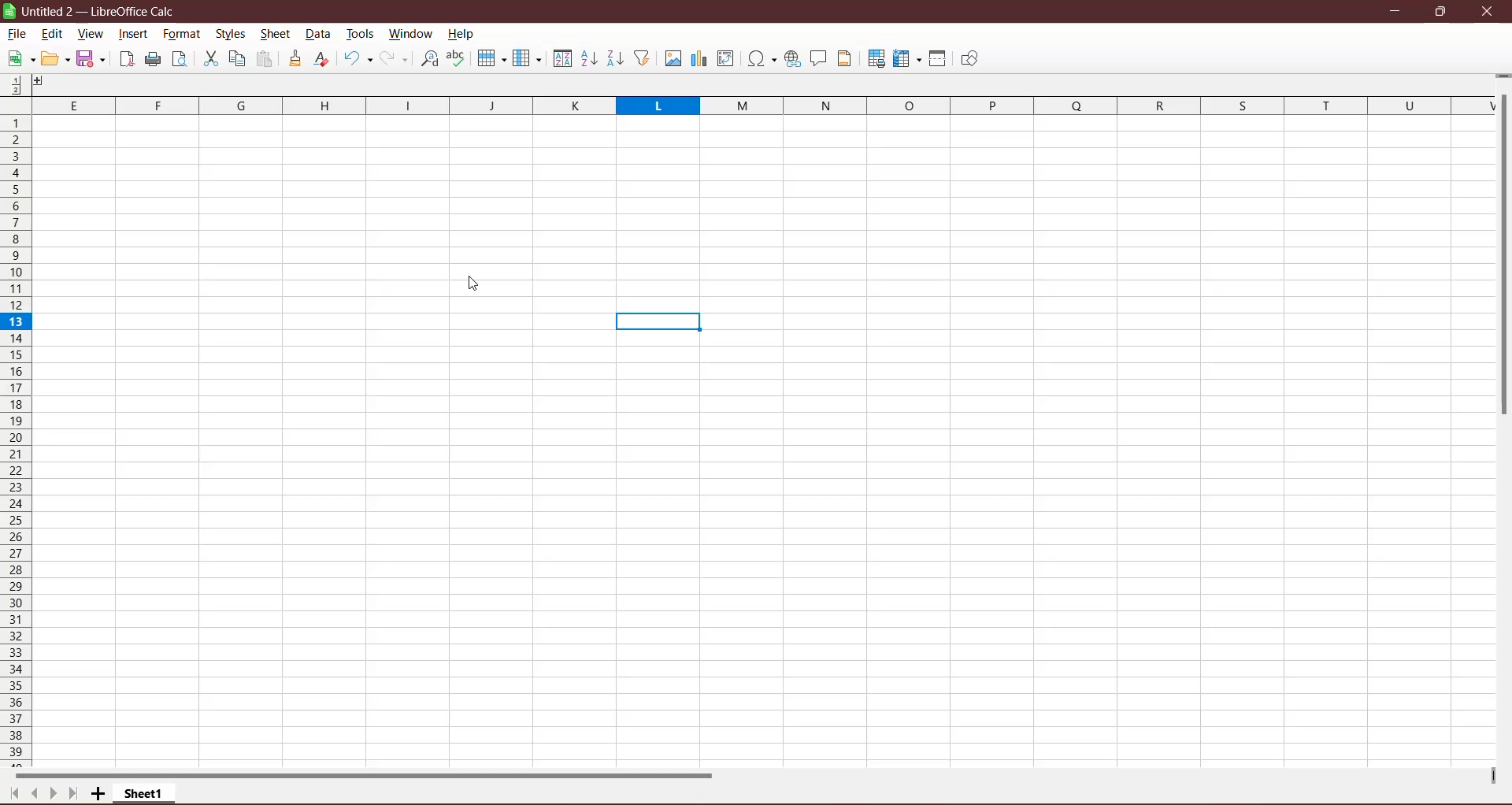 This screenshot has width=1512, height=805. I want to click on Data, so click(318, 34).